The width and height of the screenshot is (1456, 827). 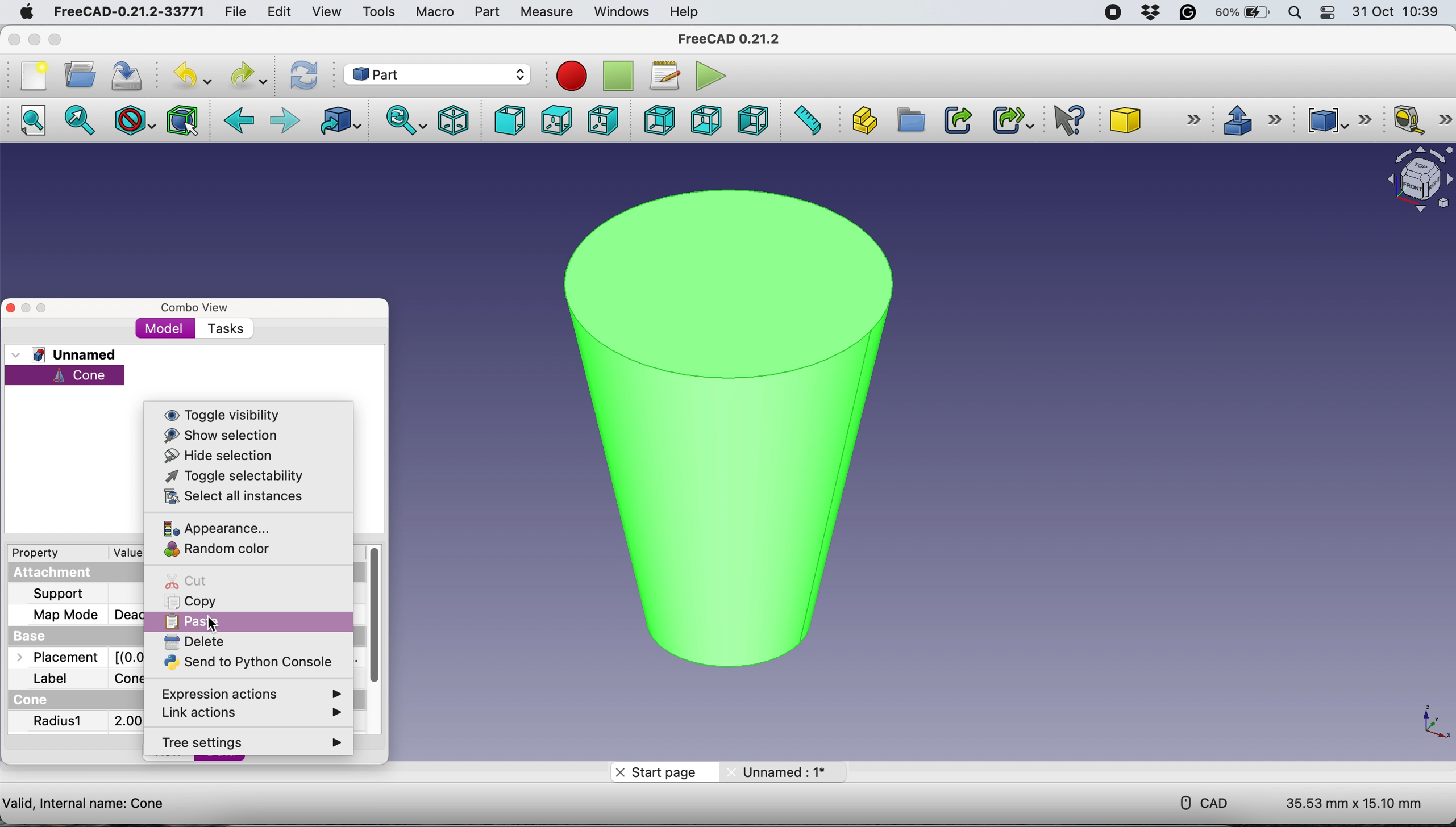 What do you see at coordinates (197, 642) in the screenshot?
I see `delete` at bounding box center [197, 642].